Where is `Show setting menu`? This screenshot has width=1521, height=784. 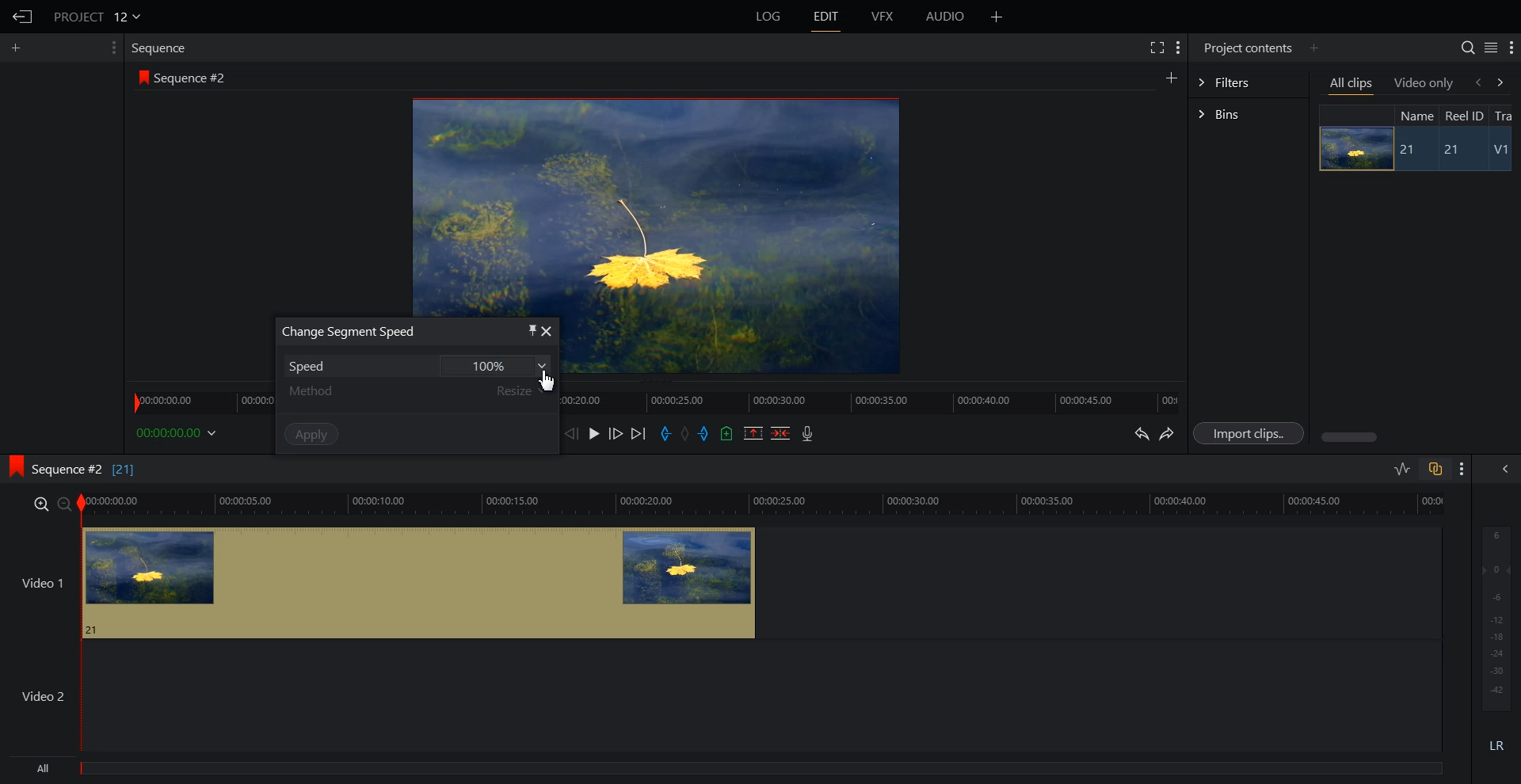
Show setting menu is located at coordinates (1178, 48).